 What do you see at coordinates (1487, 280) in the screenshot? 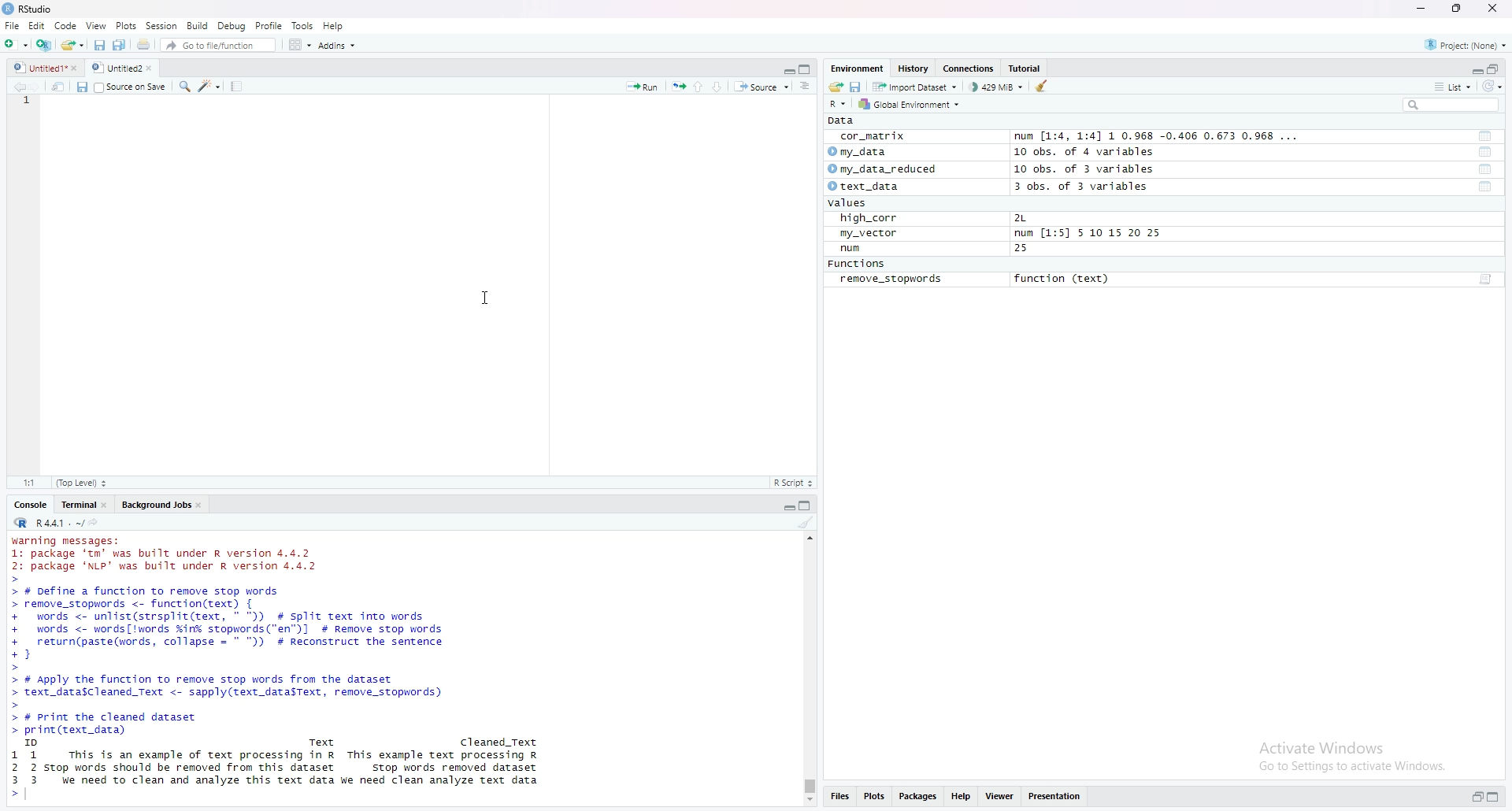
I see `Show function` at bounding box center [1487, 280].